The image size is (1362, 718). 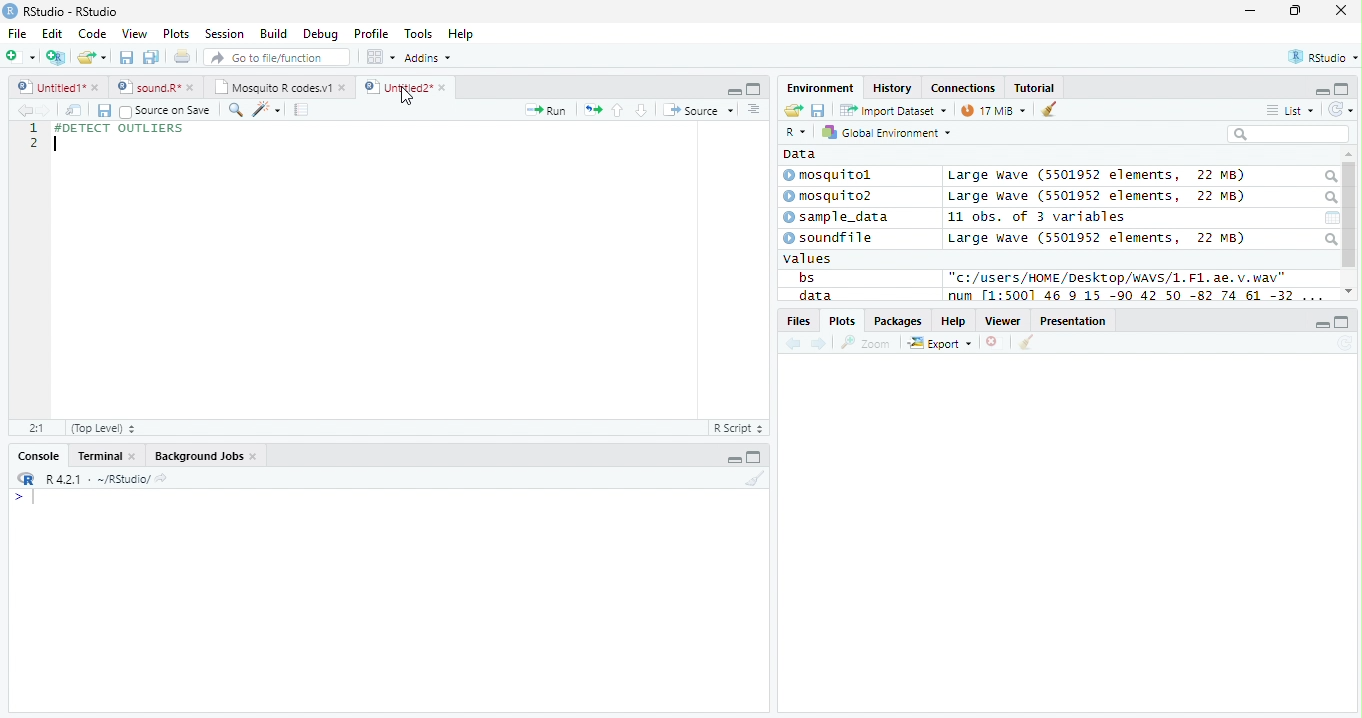 What do you see at coordinates (11, 11) in the screenshot?
I see `Logo` at bounding box center [11, 11].